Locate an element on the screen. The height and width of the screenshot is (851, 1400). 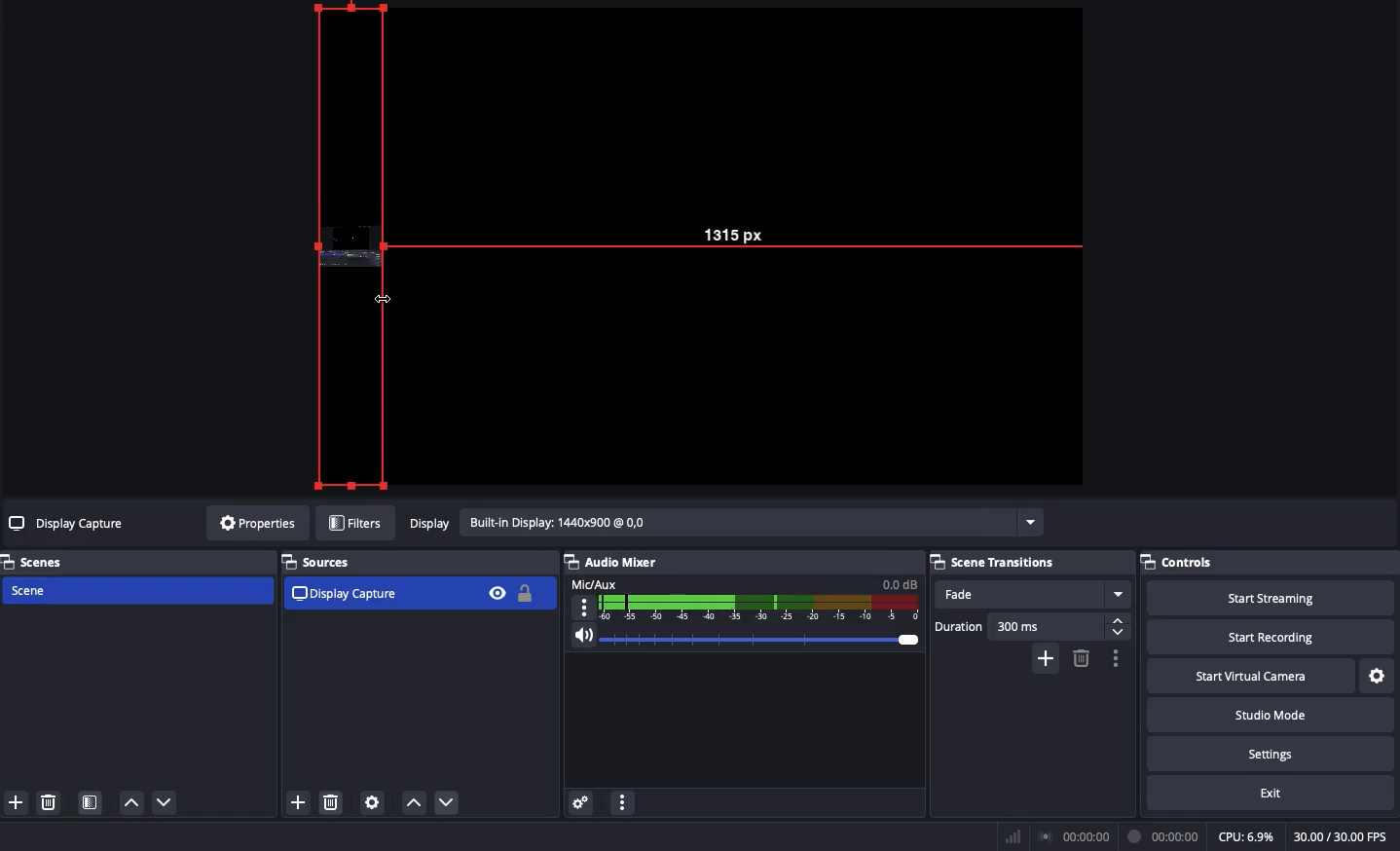
Volume is located at coordinates (740, 641).